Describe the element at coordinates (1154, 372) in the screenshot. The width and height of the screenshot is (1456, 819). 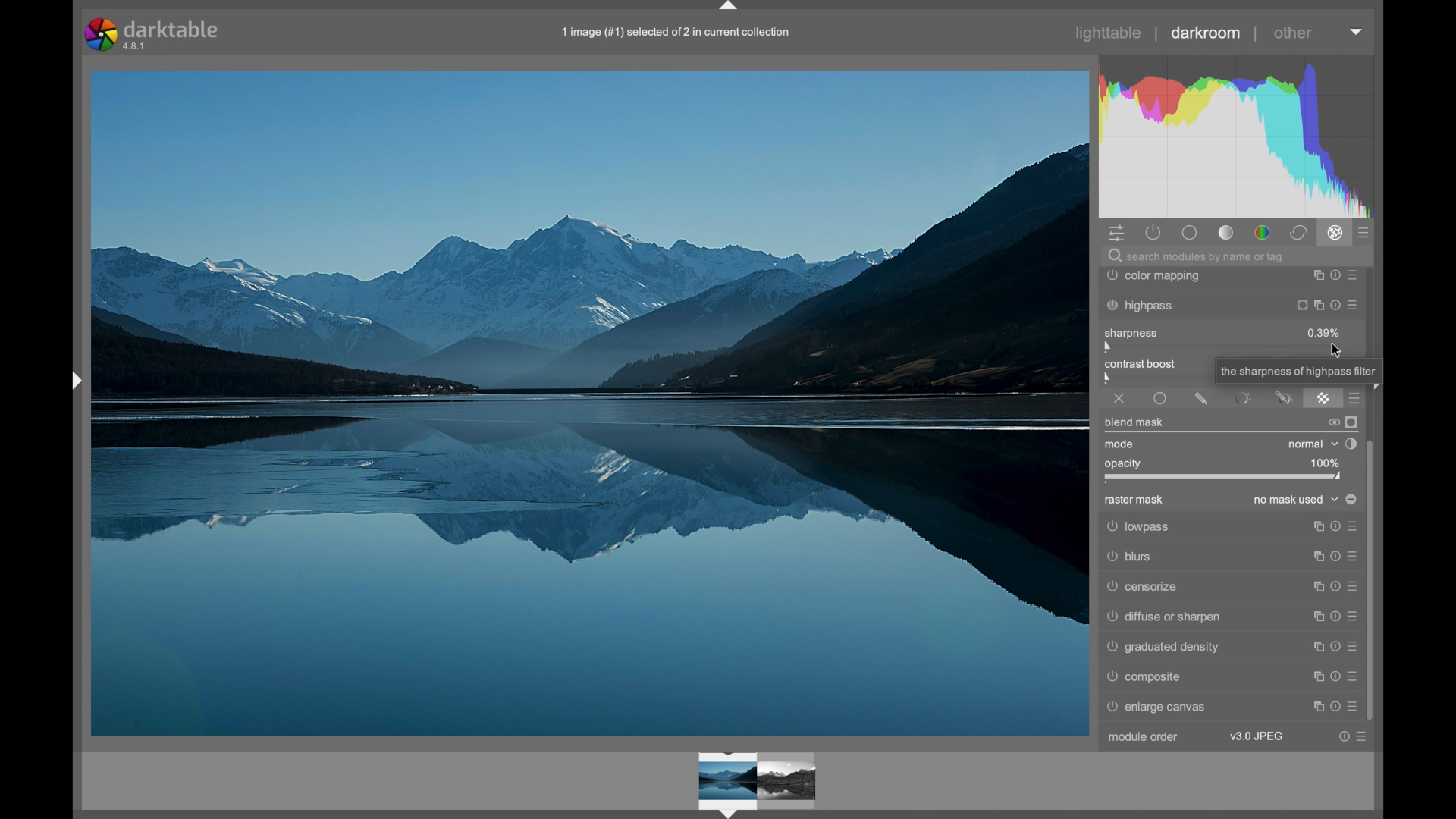
I see `slider` at that location.